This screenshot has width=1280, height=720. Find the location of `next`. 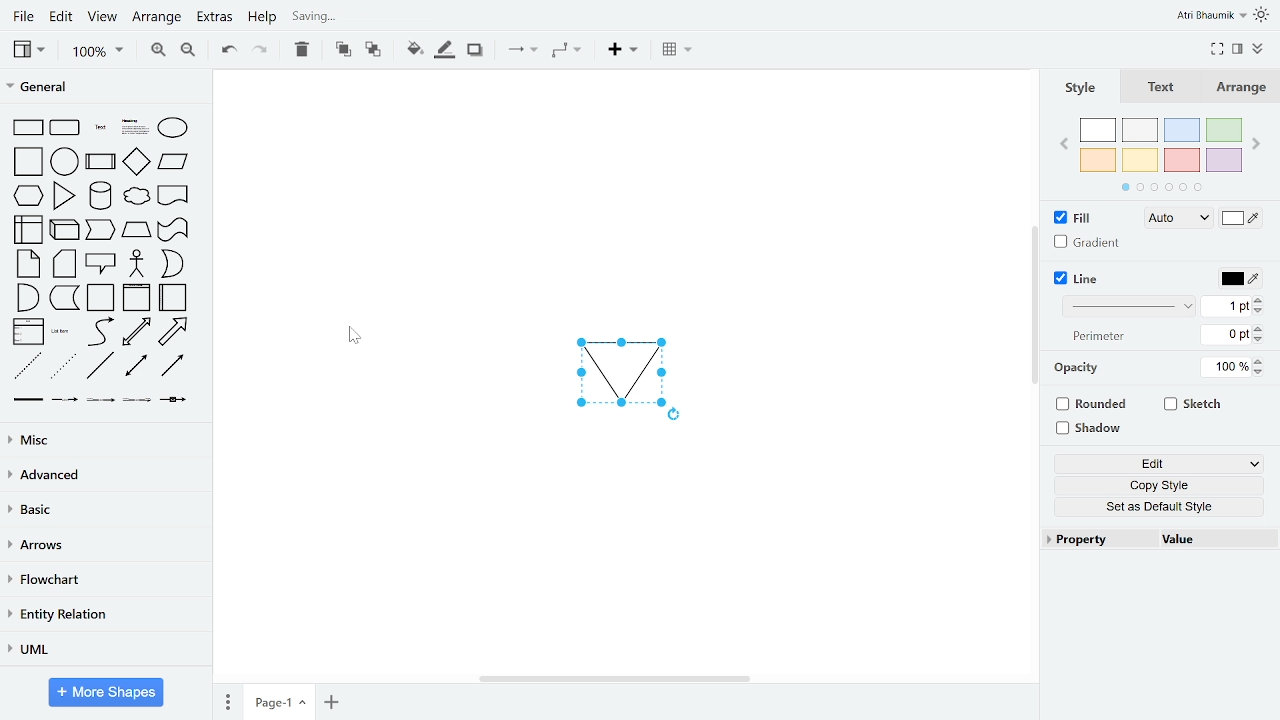

next is located at coordinates (1258, 144).